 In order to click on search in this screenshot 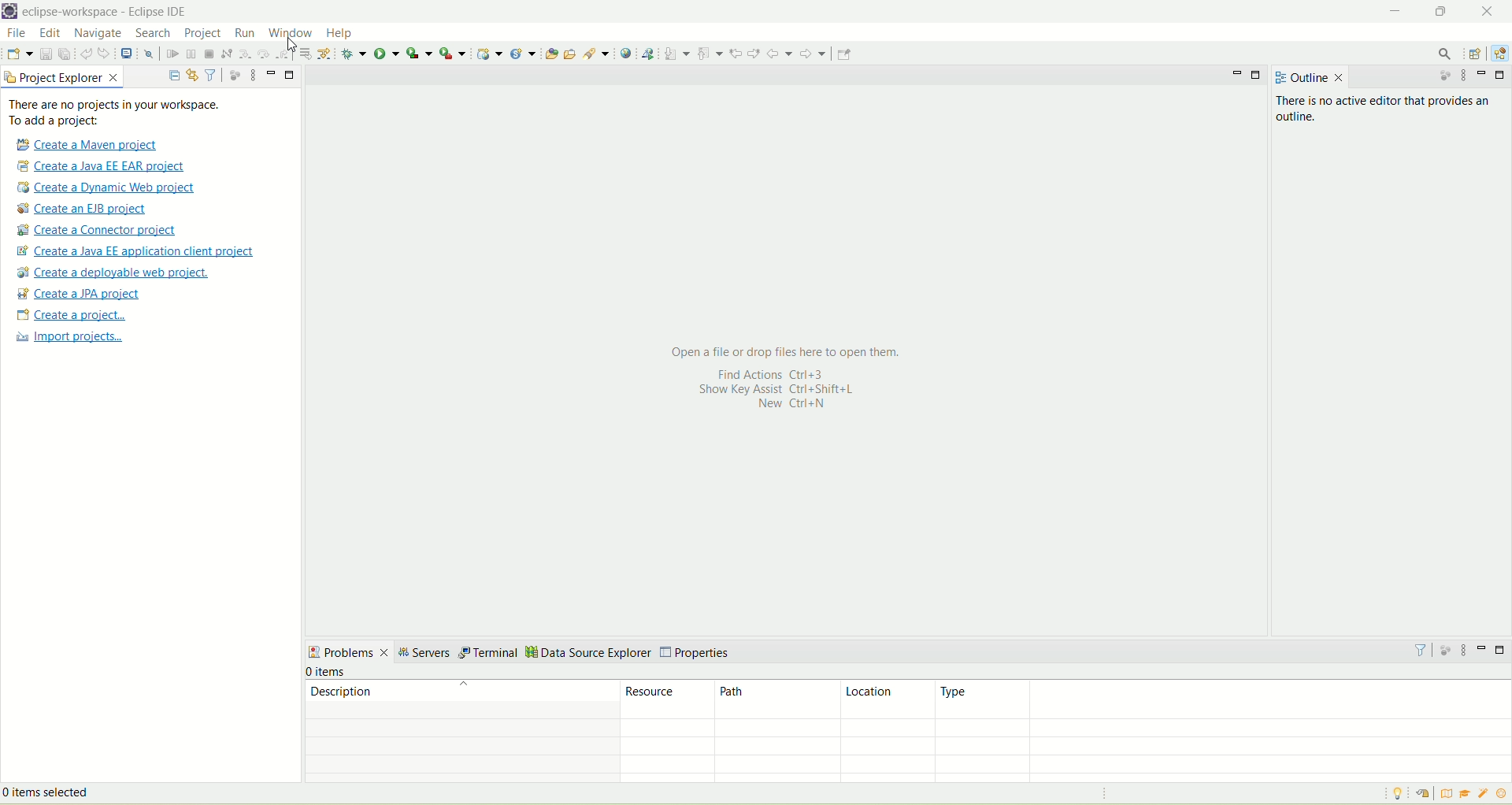, I will do `click(595, 53)`.